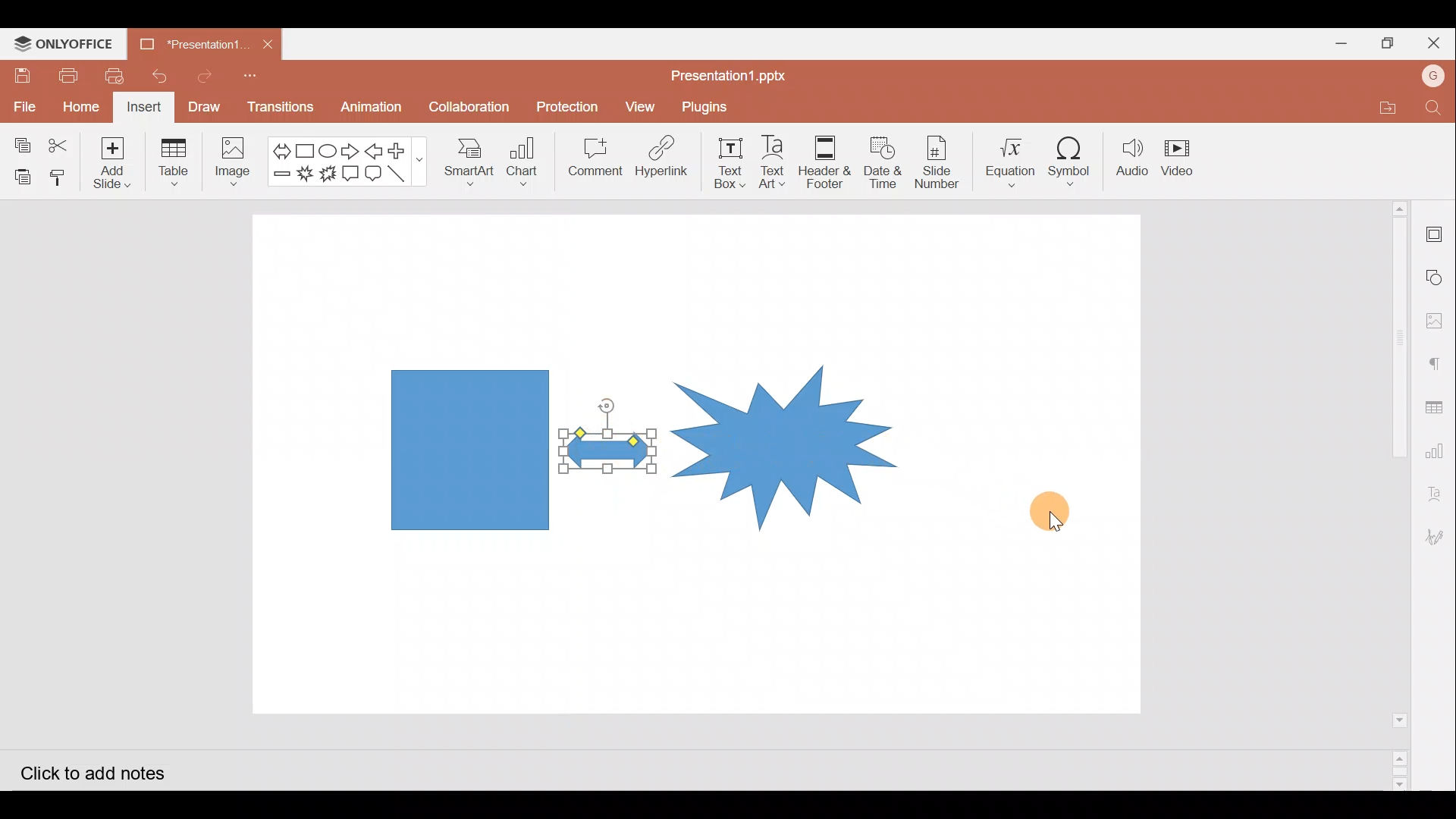 The height and width of the screenshot is (819, 1456). Describe the element at coordinates (193, 44) in the screenshot. I see `Presentation1.` at that location.